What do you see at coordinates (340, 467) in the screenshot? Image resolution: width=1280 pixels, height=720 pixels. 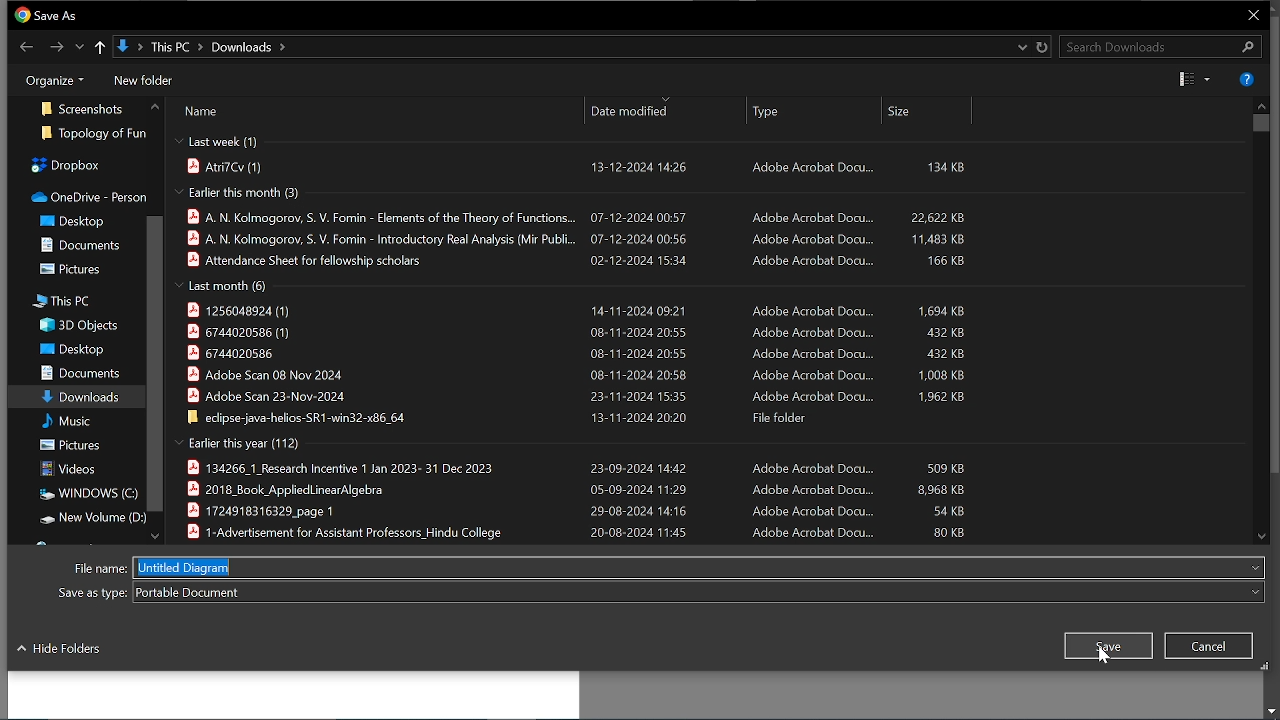 I see `134266 1 Research Incentive 1 Jan 2023- 31 Dec 2023` at bounding box center [340, 467].